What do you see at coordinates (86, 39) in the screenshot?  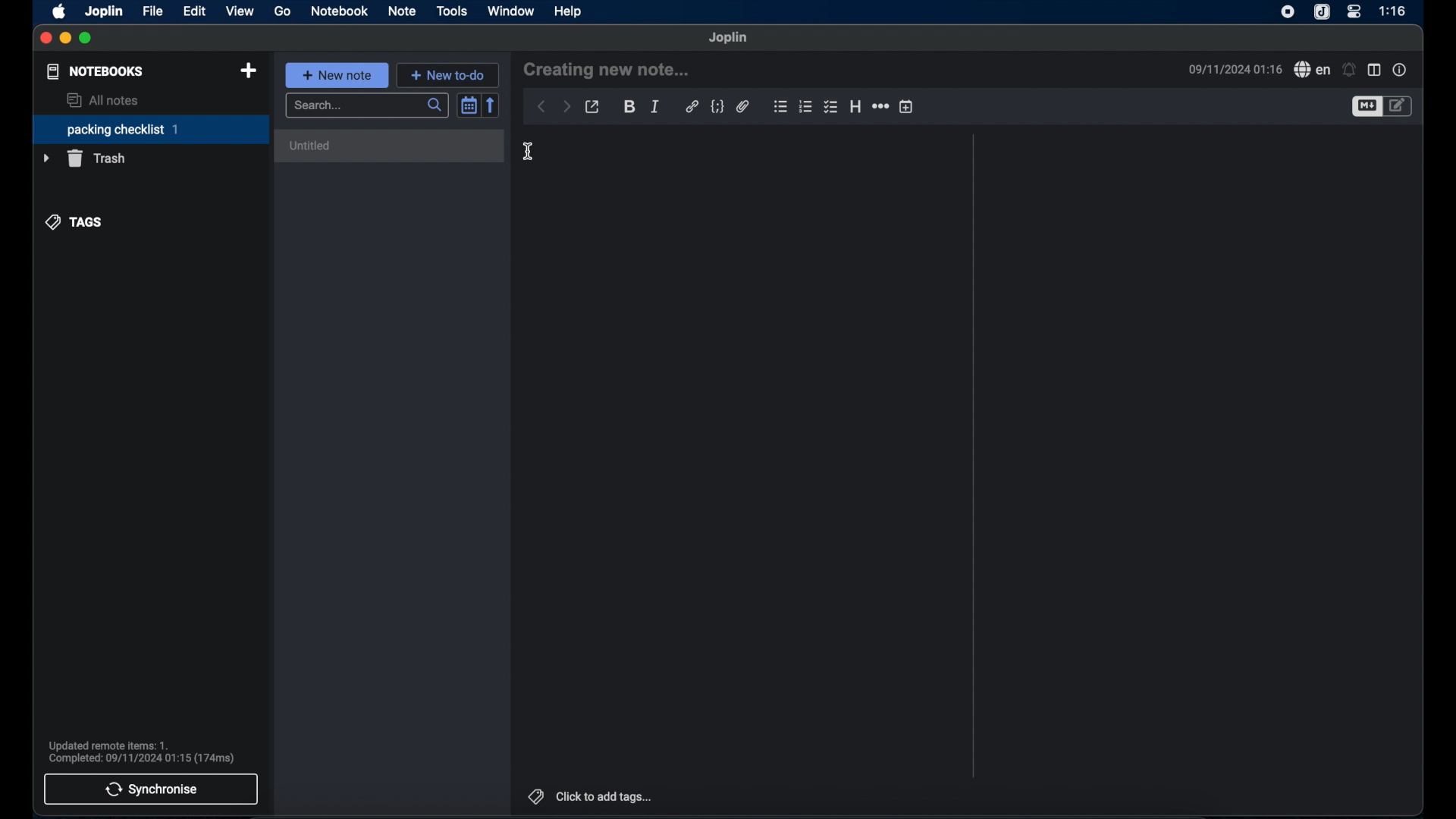 I see `maximize` at bounding box center [86, 39].